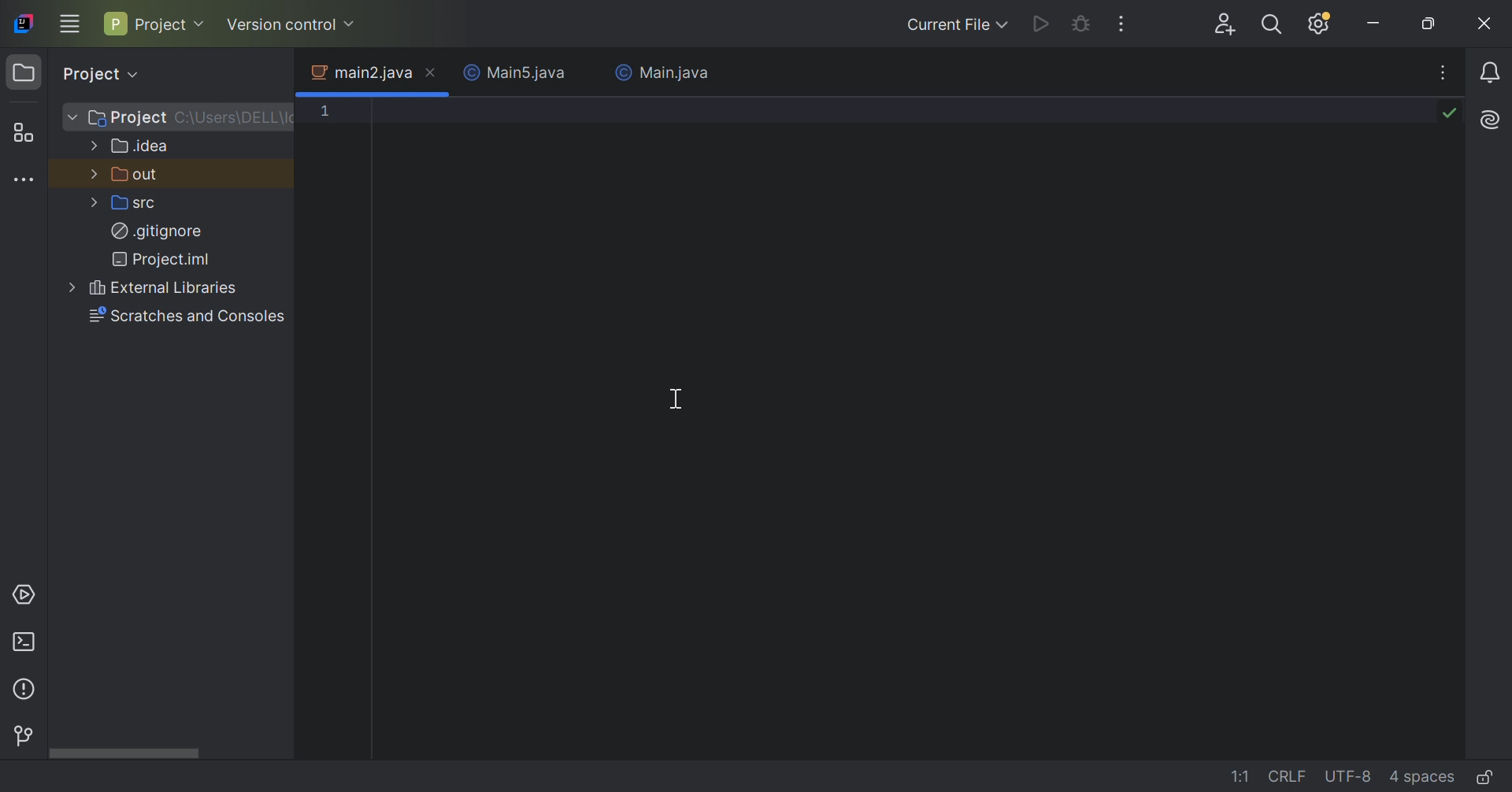 This screenshot has width=1512, height=792. Describe the element at coordinates (24, 180) in the screenshot. I see `More tool windows` at that location.